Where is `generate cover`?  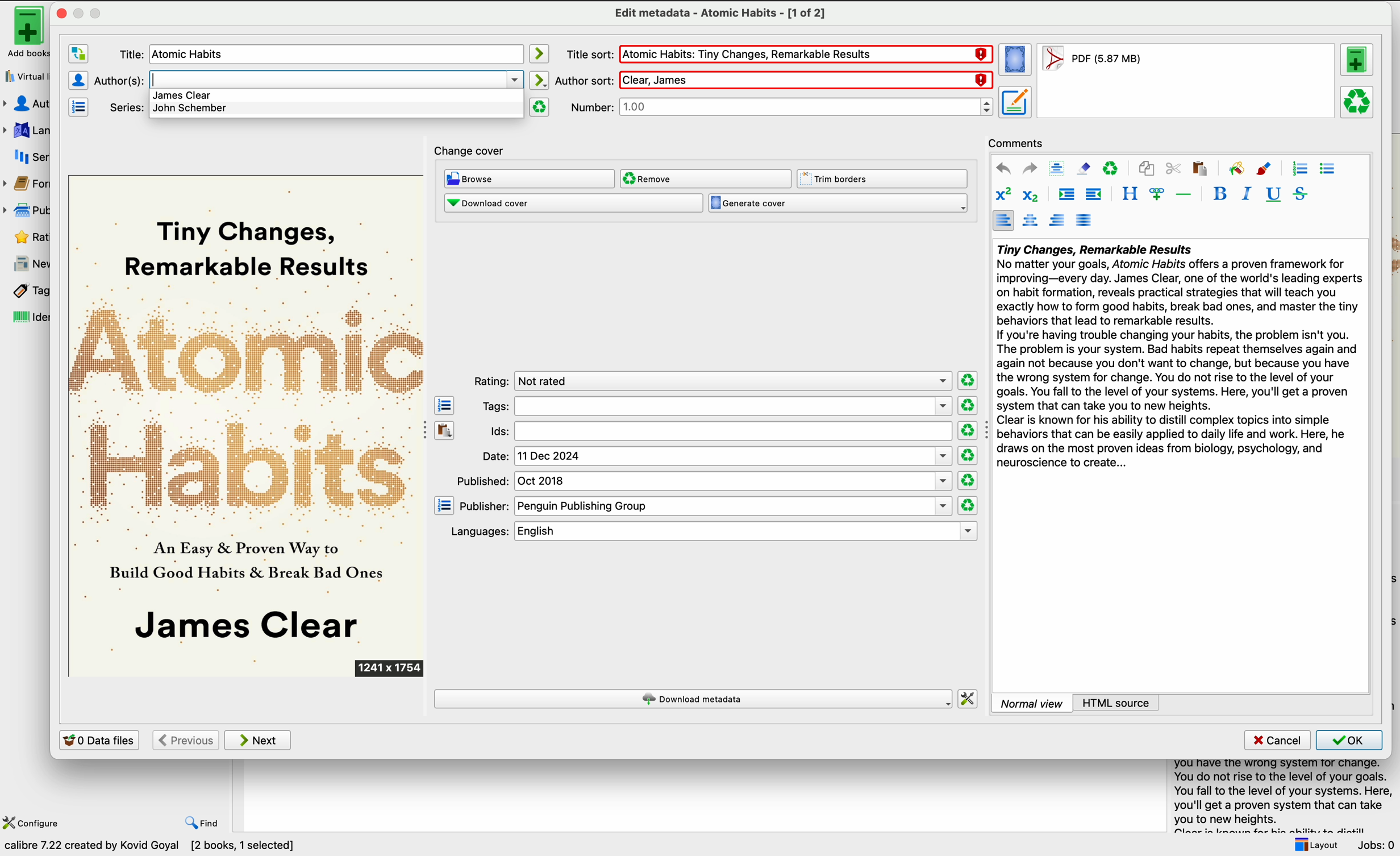 generate cover is located at coordinates (838, 203).